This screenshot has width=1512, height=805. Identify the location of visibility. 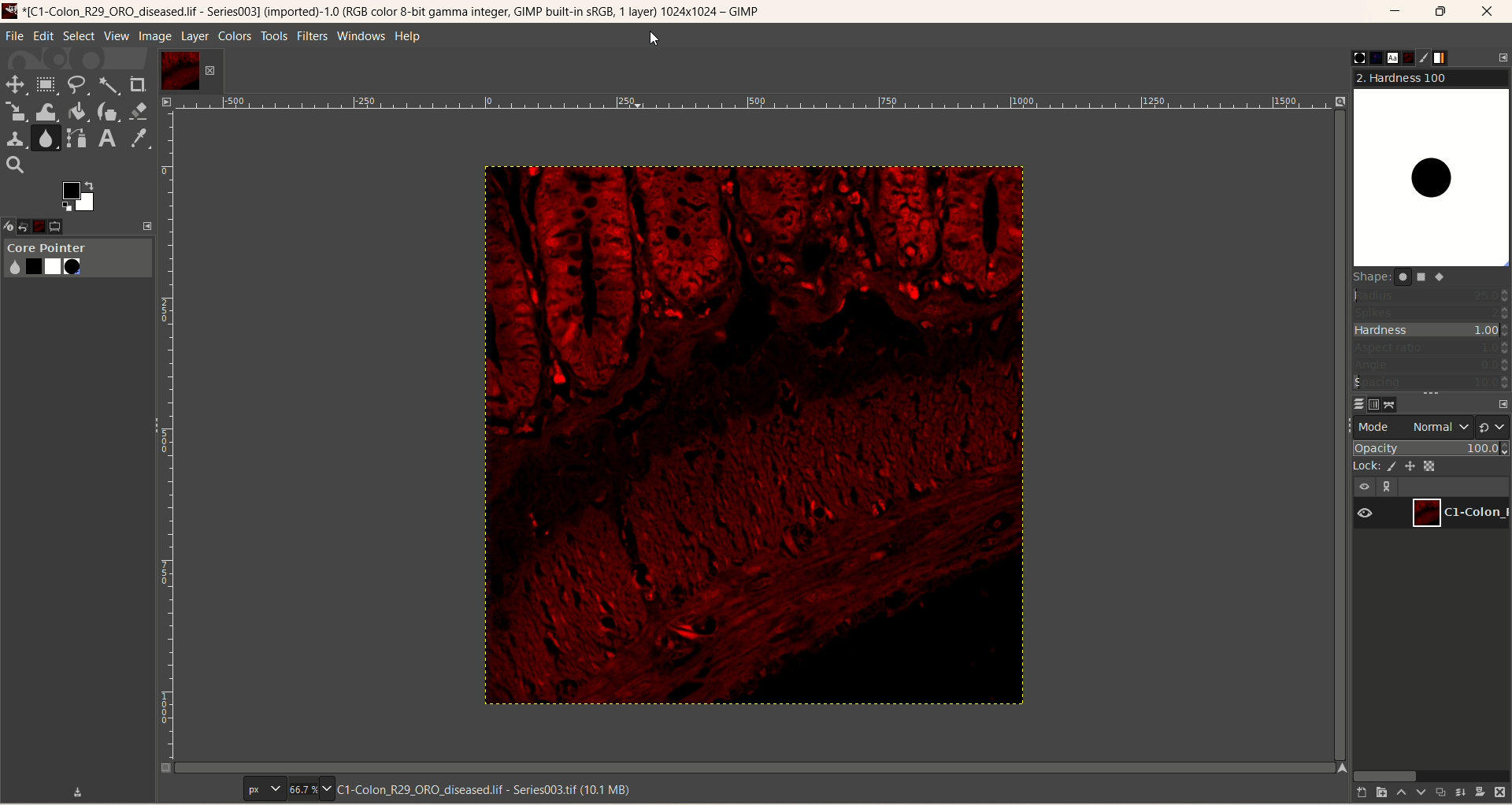
(1370, 513).